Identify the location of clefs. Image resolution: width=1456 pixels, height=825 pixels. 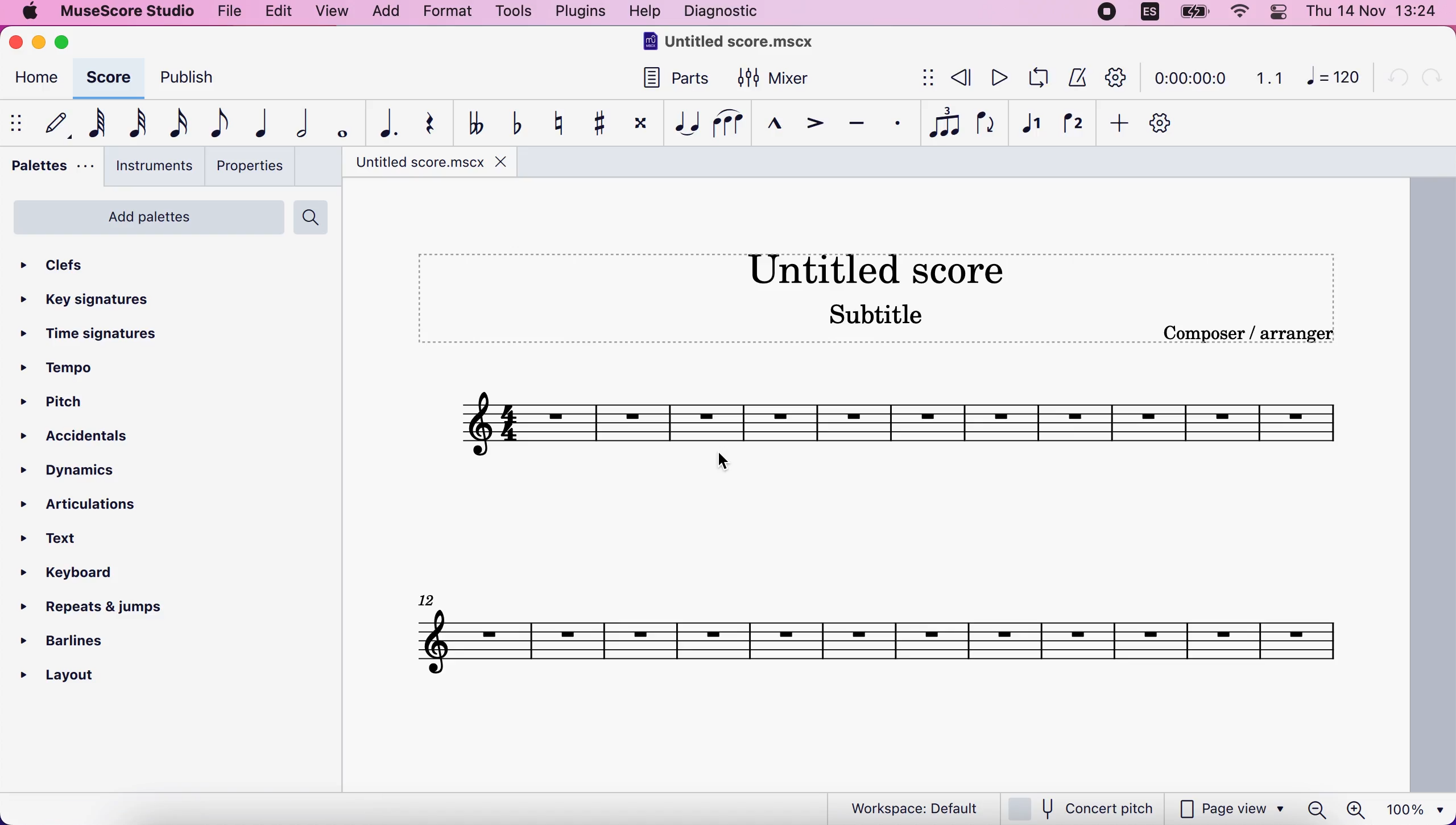
(62, 268).